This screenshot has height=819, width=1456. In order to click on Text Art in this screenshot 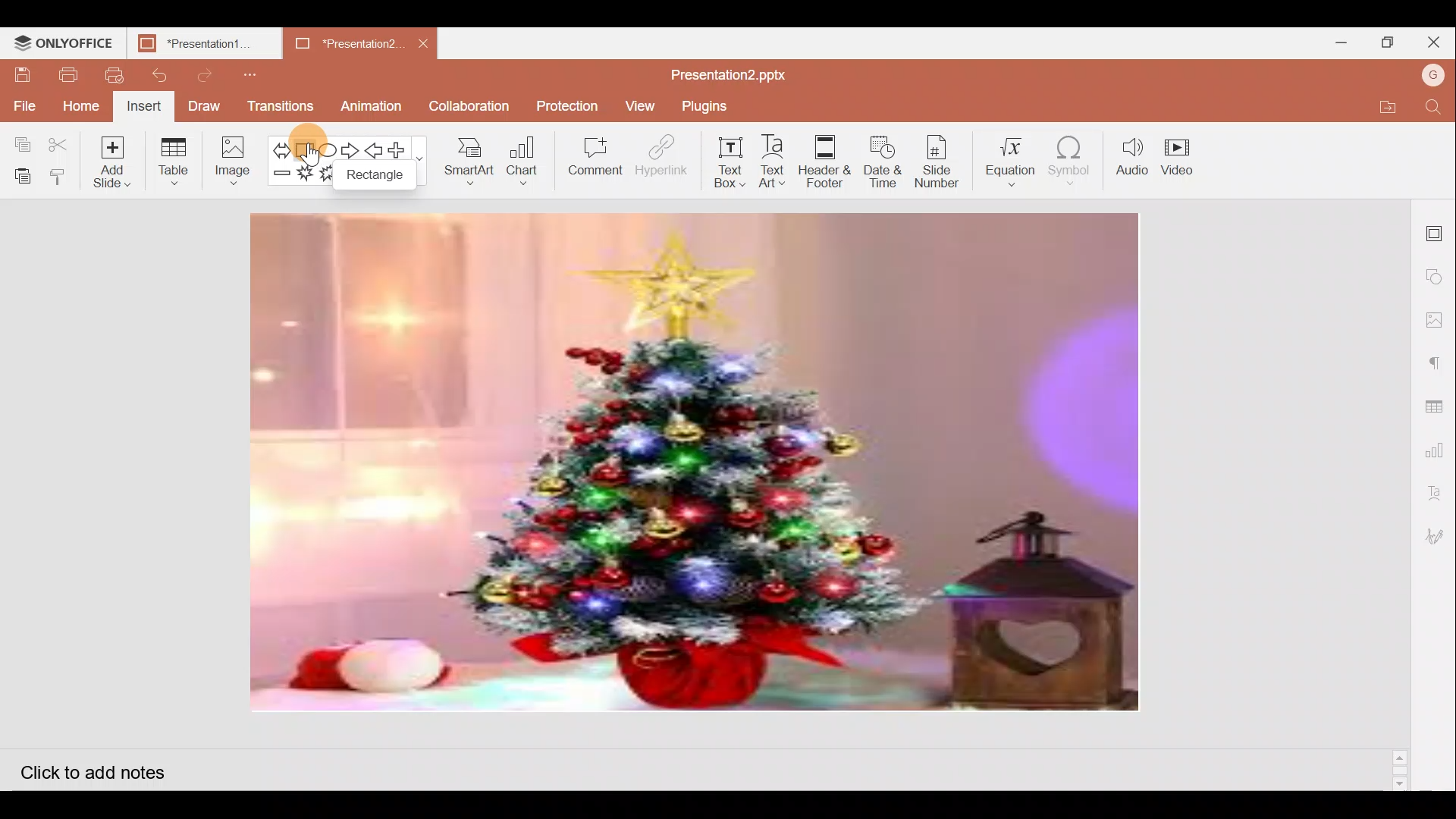, I will do `click(773, 162)`.